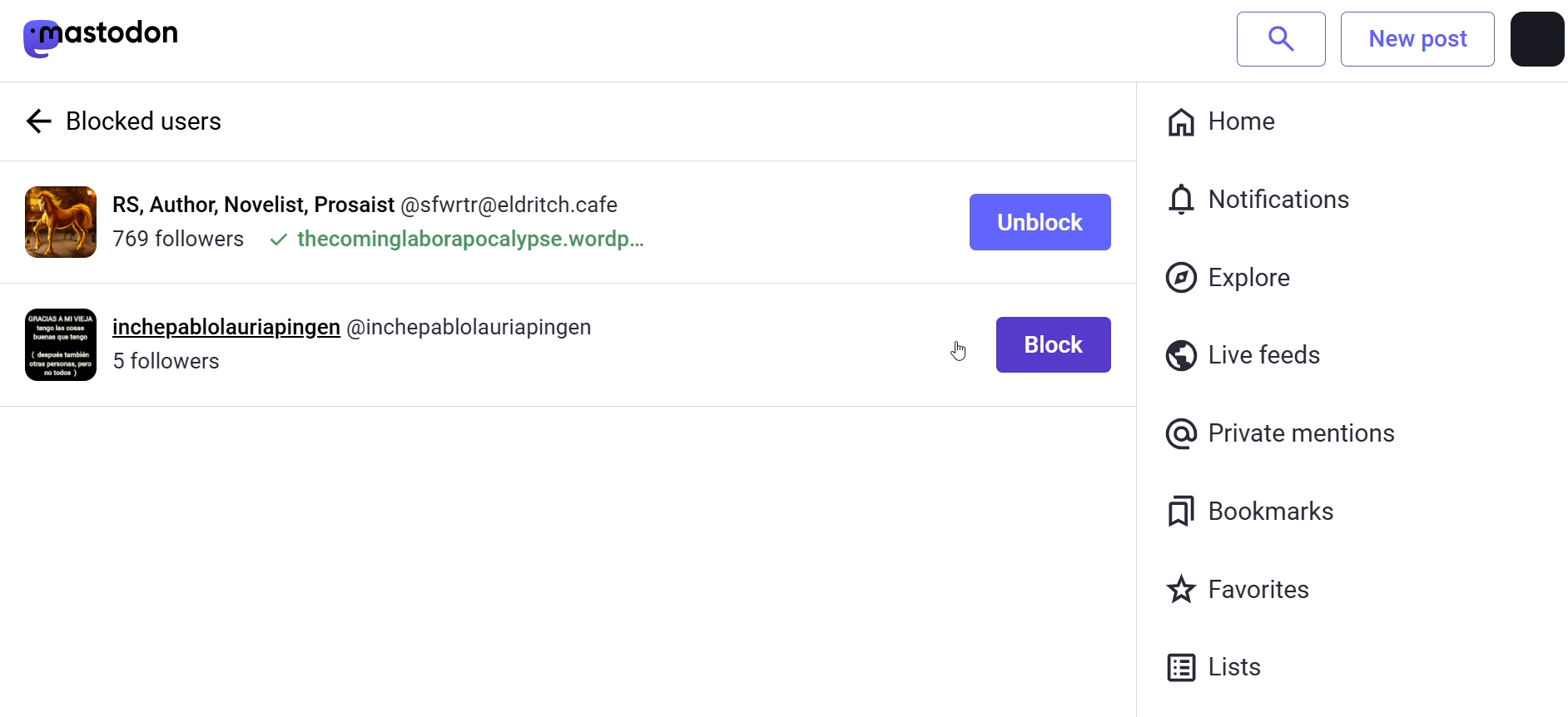 This screenshot has width=1568, height=717. Describe the element at coordinates (1054, 342) in the screenshot. I see `block` at that location.